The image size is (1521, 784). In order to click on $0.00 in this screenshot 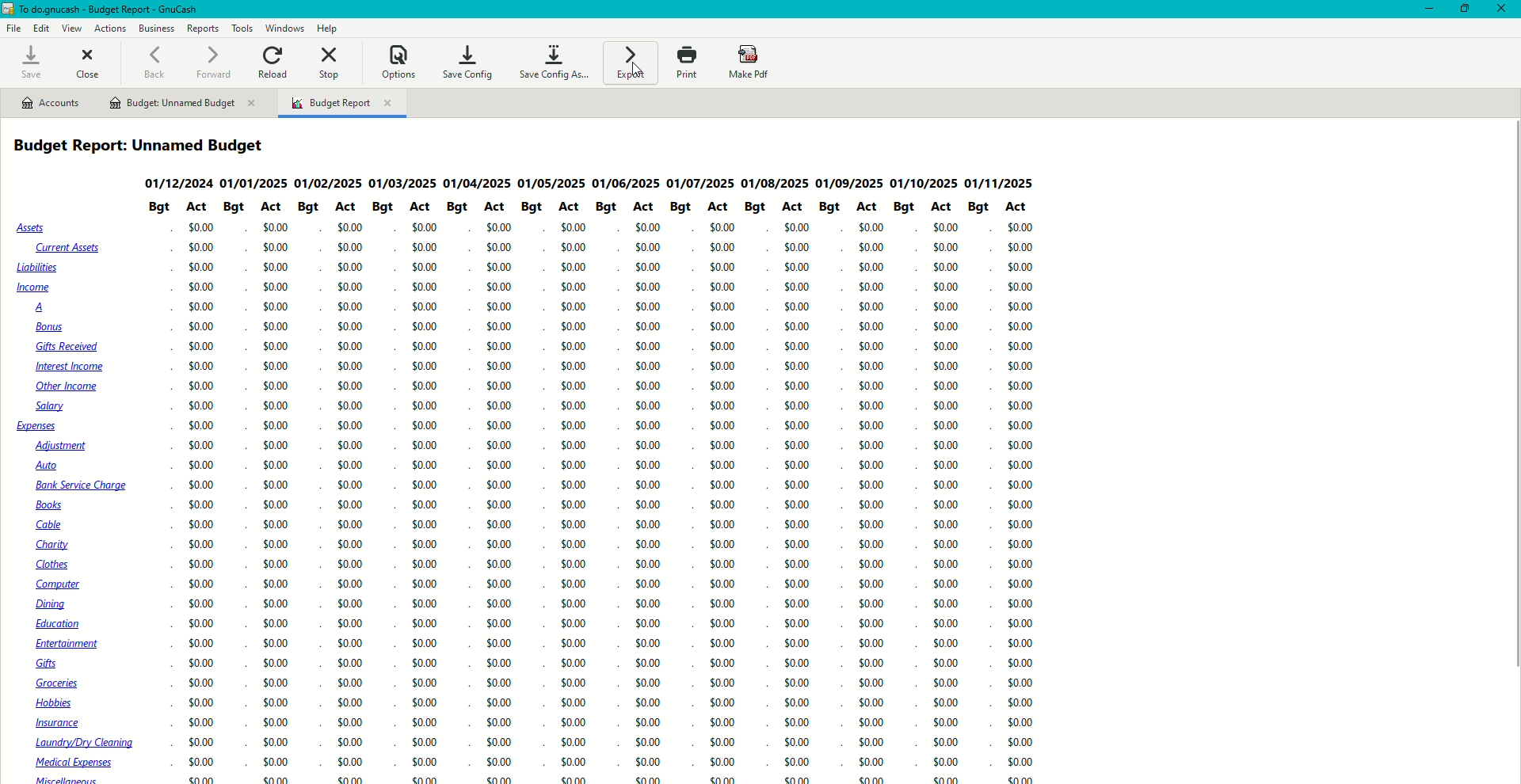, I will do `click(575, 424)`.